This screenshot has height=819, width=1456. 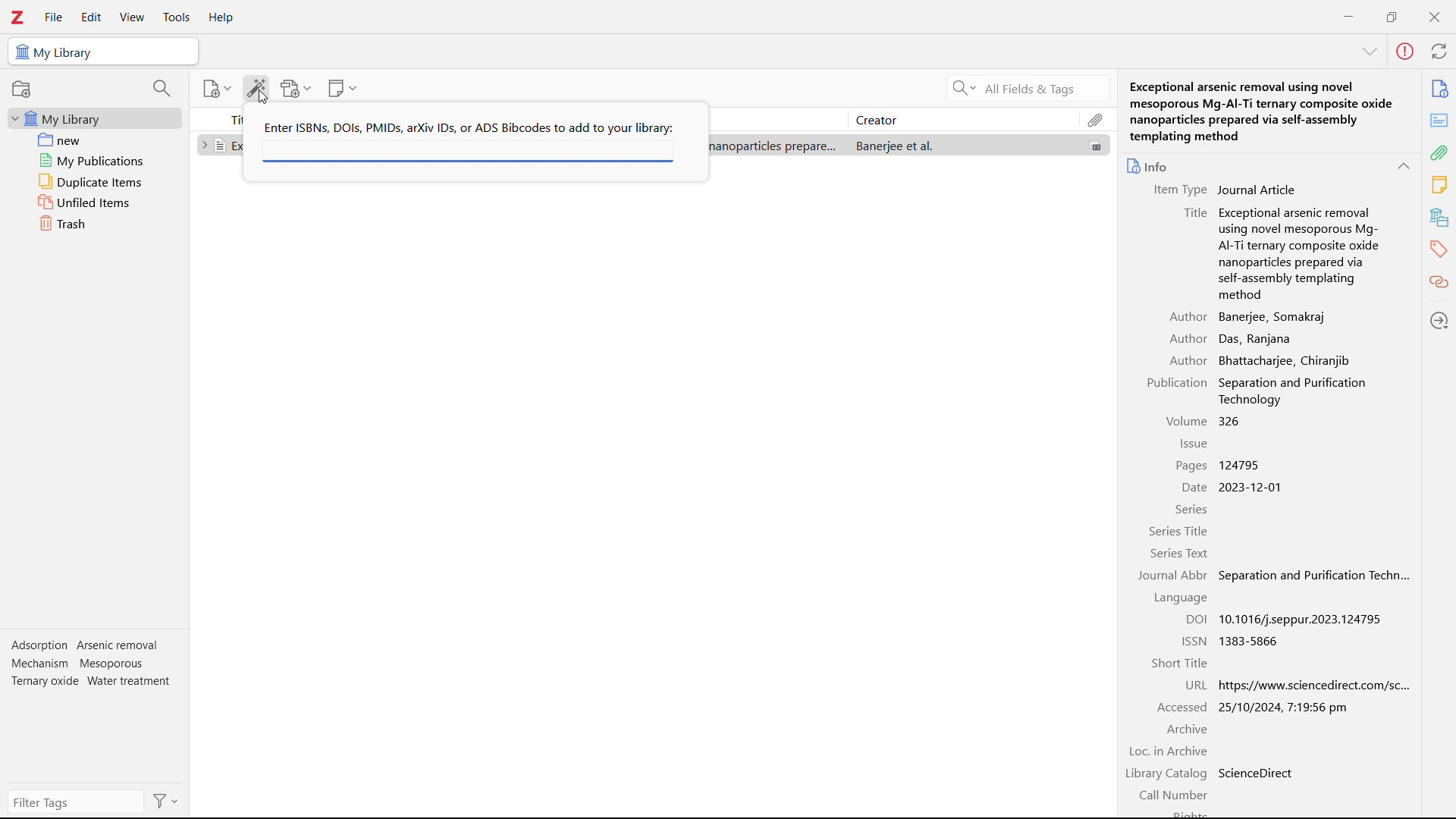 What do you see at coordinates (17, 17) in the screenshot?
I see `logo` at bounding box center [17, 17].